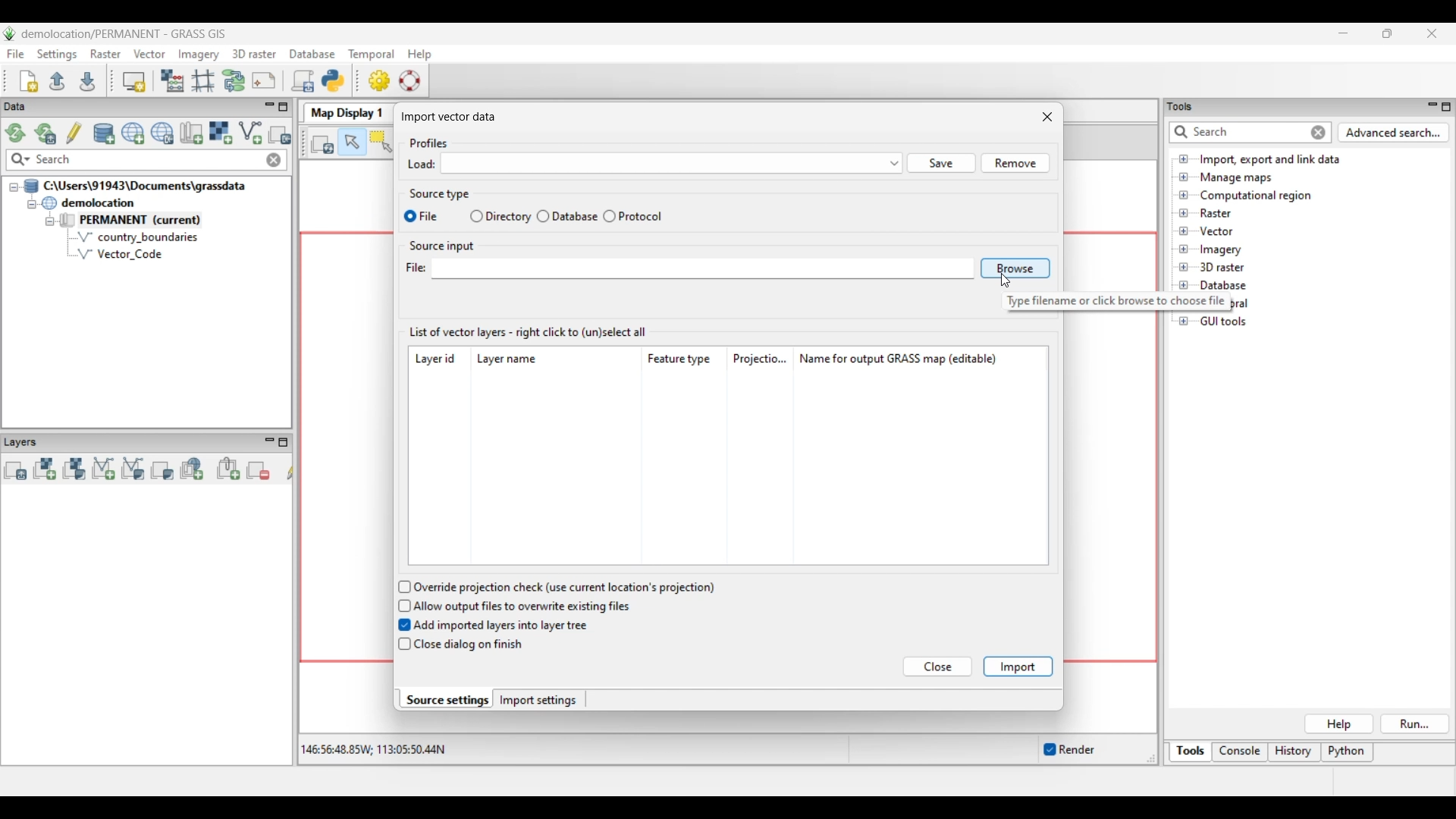 The image size is (1456, 819). What do you see at coordinates (347, 113) in the screenshot?
I see `Map Display 1 tab` at bounding box center [347, 113].